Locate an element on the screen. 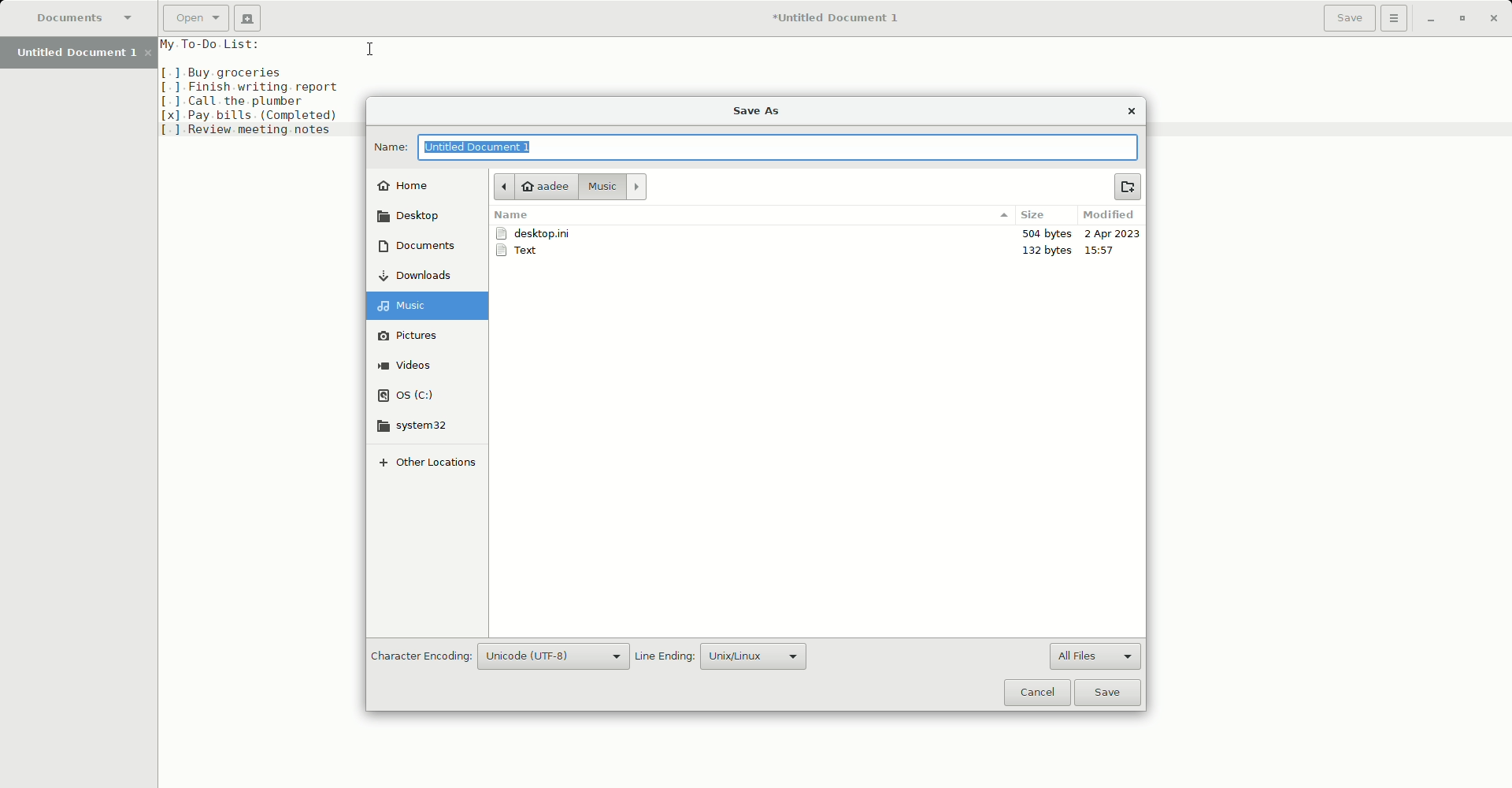  Name is located at coordinates (512, 217).